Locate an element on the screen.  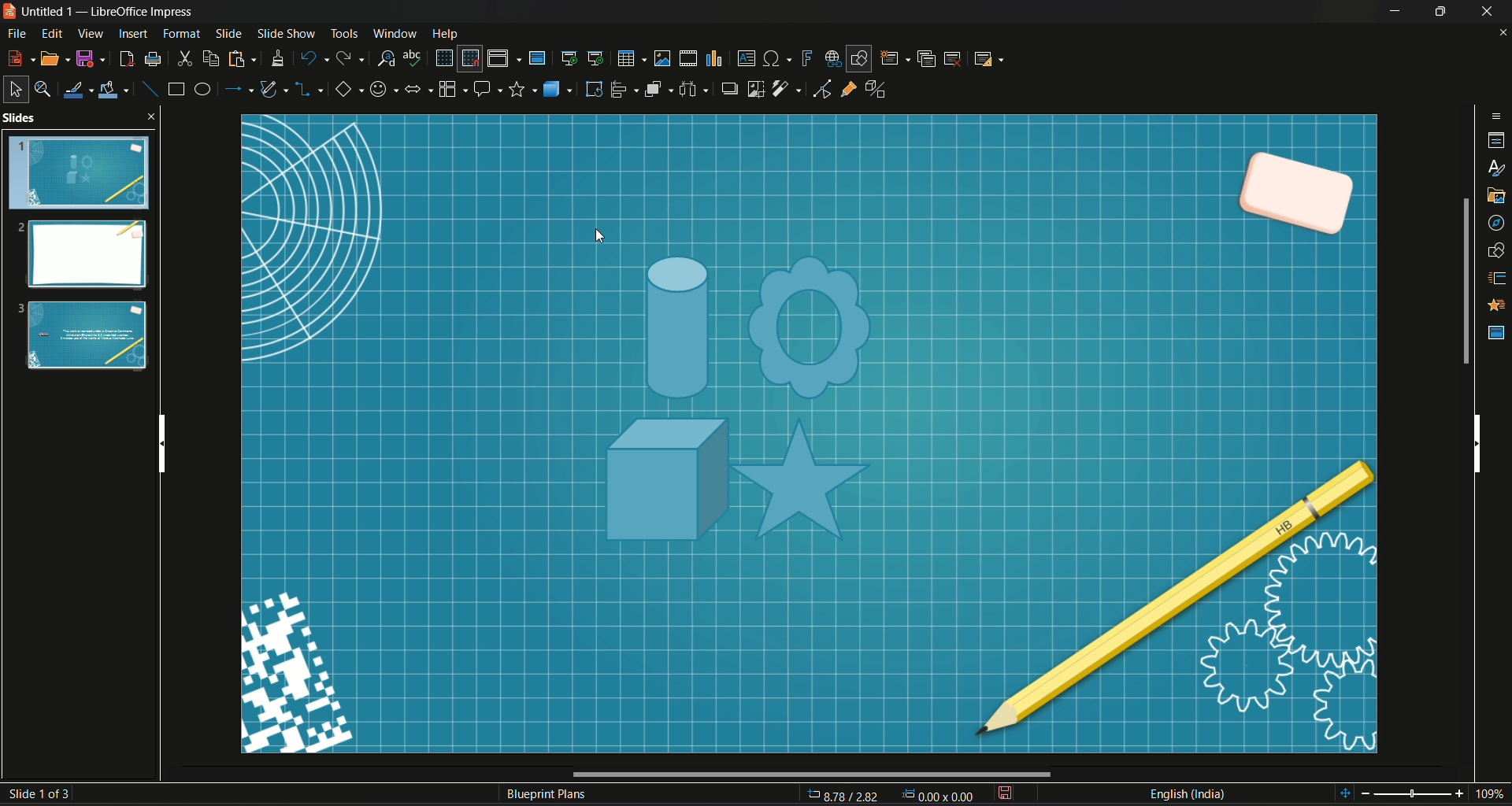
toggle extrusion is located at coordinates (880, 89).